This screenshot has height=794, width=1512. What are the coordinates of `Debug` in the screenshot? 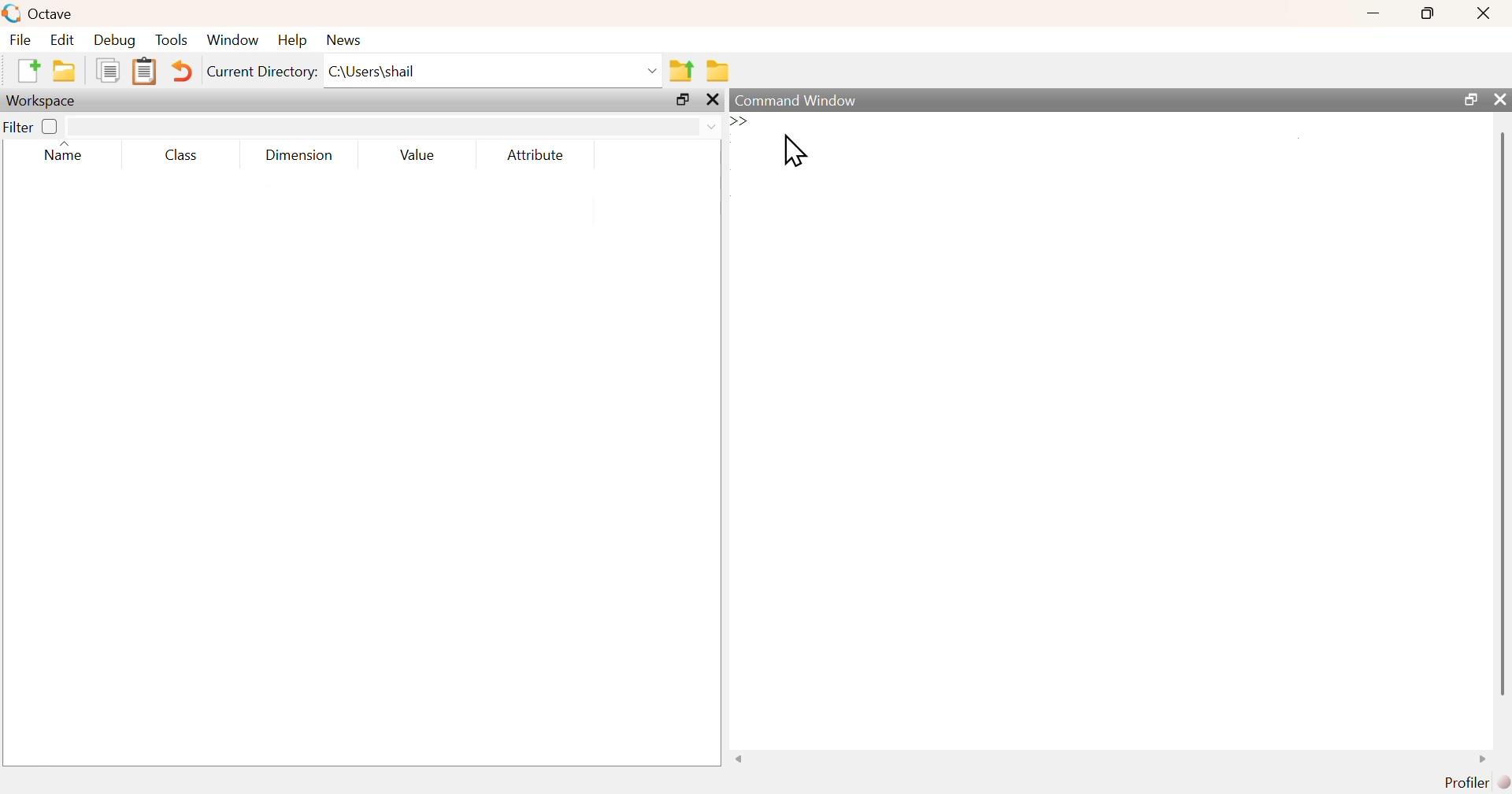 It's located at (117, 41).